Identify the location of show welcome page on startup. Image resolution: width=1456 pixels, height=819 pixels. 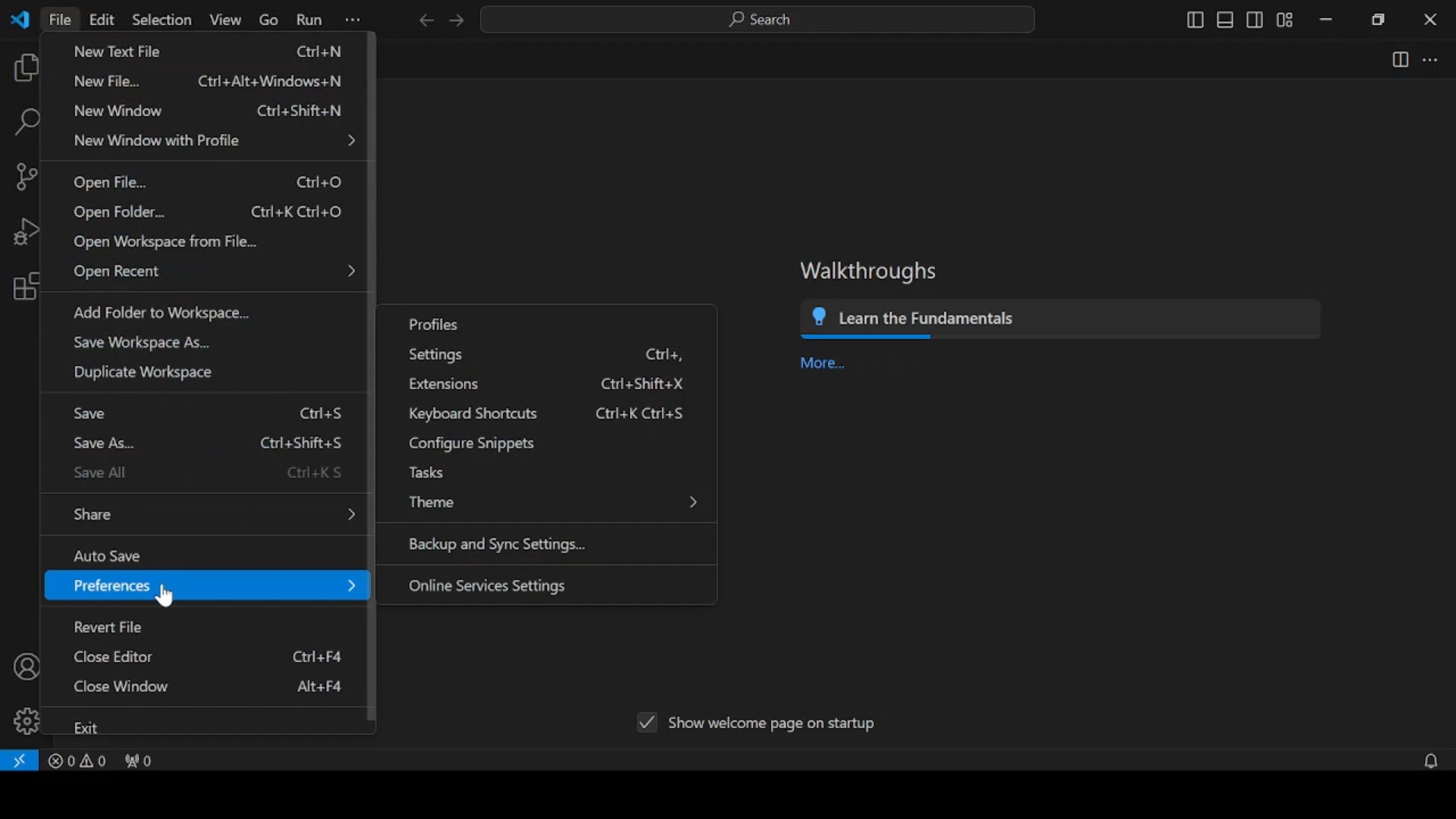
(775, 723).